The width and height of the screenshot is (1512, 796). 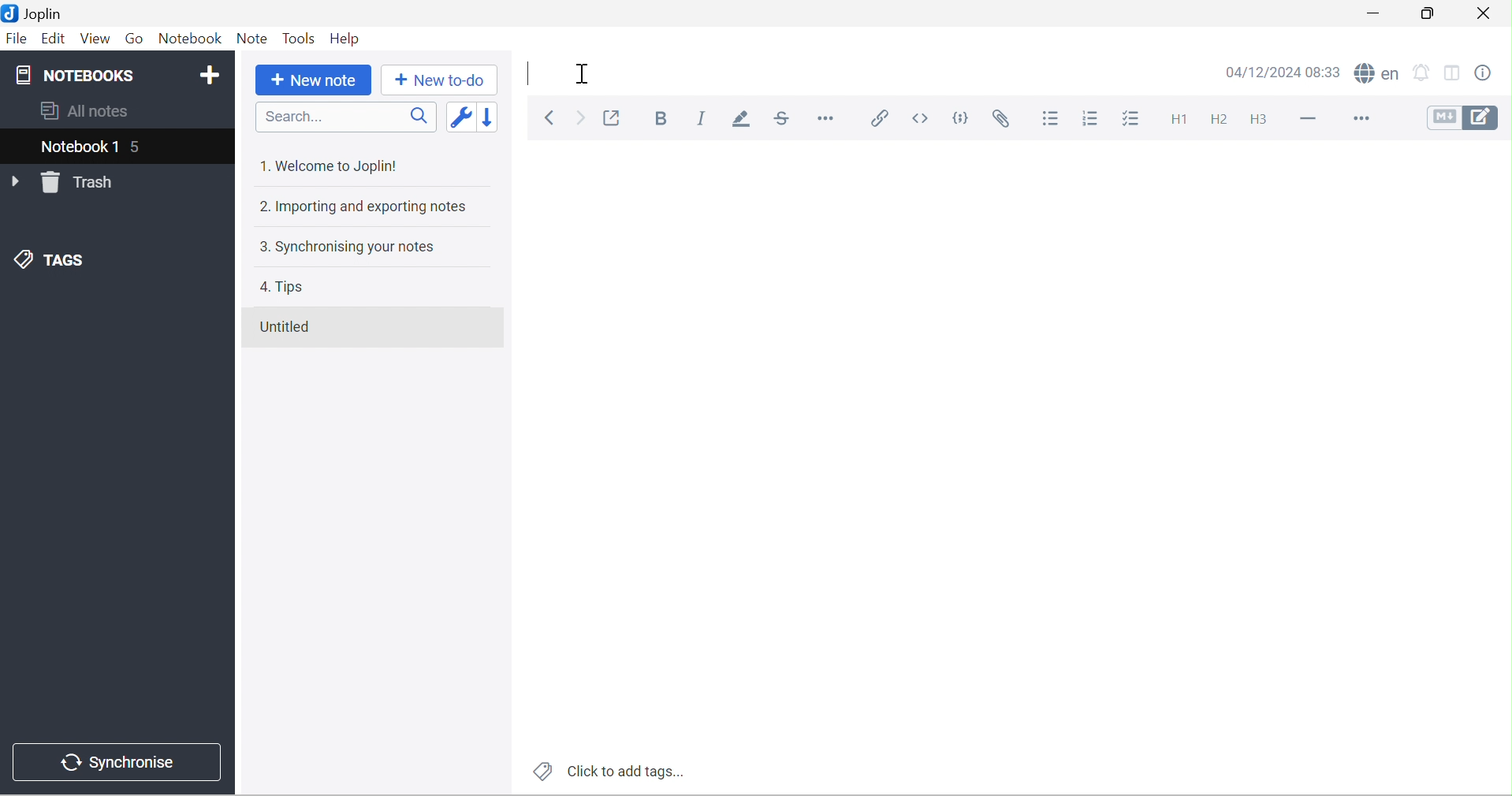 What do you see at coordinates (300, 38) in the screenshot?
I see `Tools` at bounding box center [300, 38].